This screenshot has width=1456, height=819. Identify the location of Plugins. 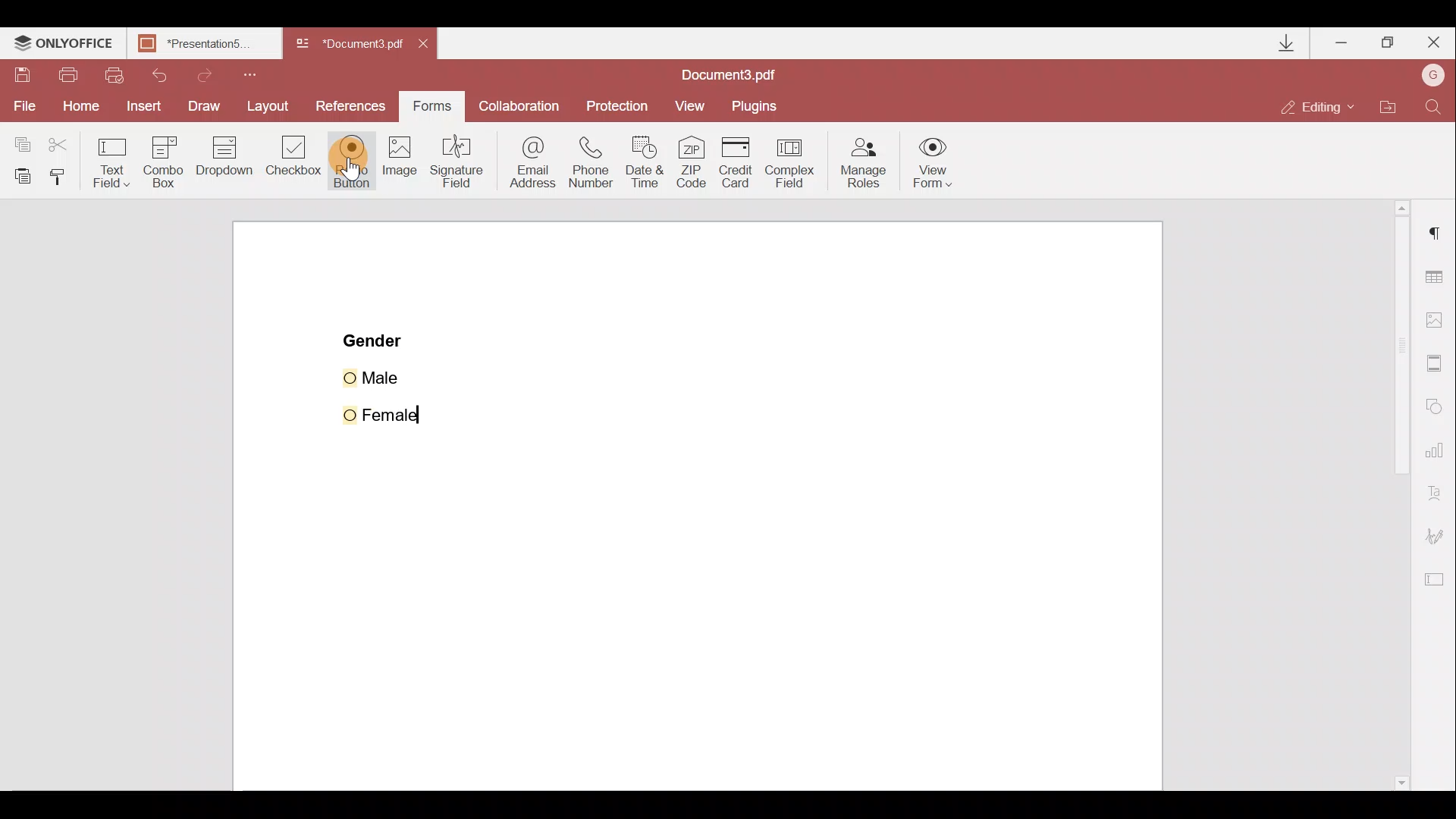
(760, 103).